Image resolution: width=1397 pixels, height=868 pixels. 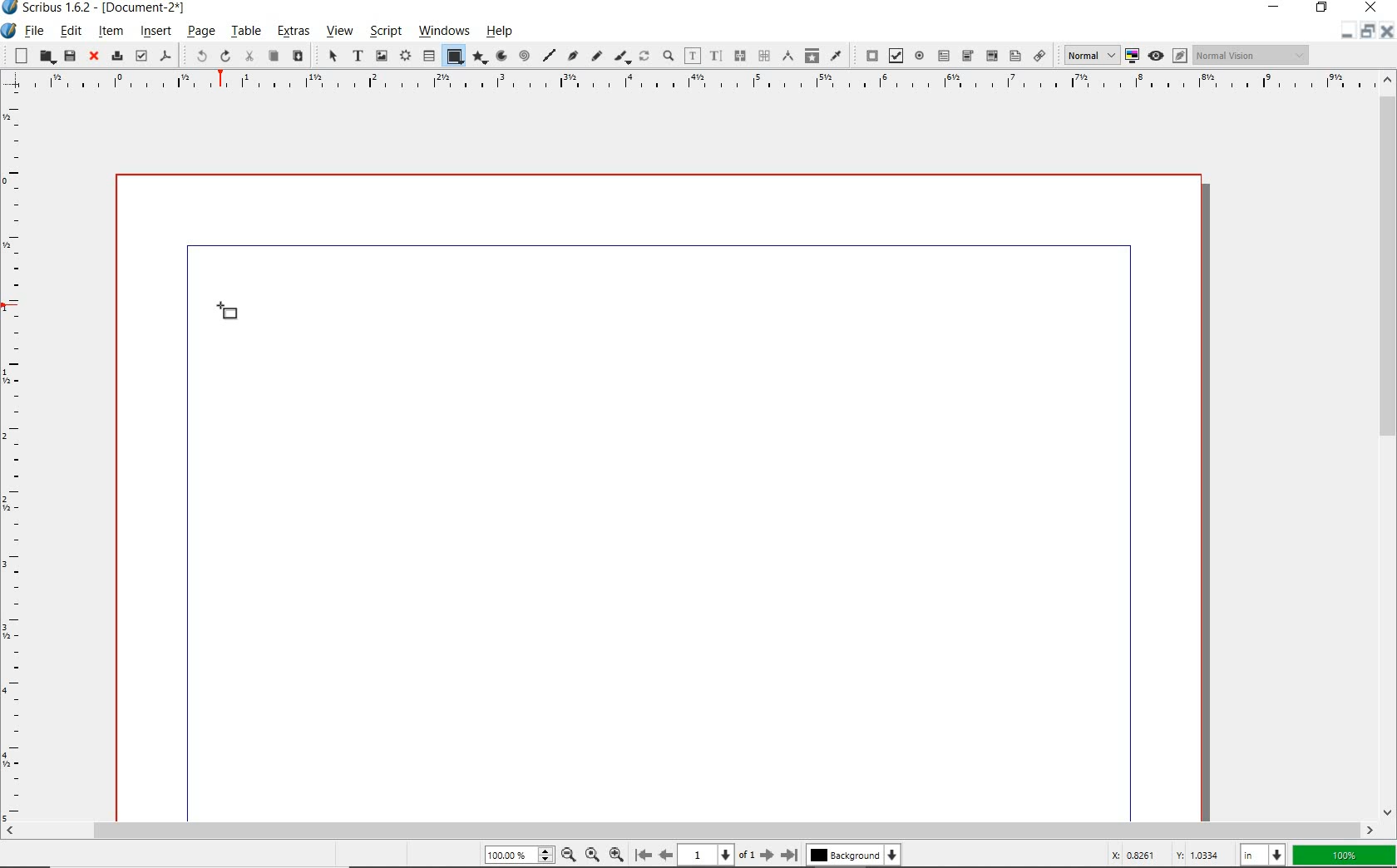 I want to click on pdf check box, so click(x=893, y=55).